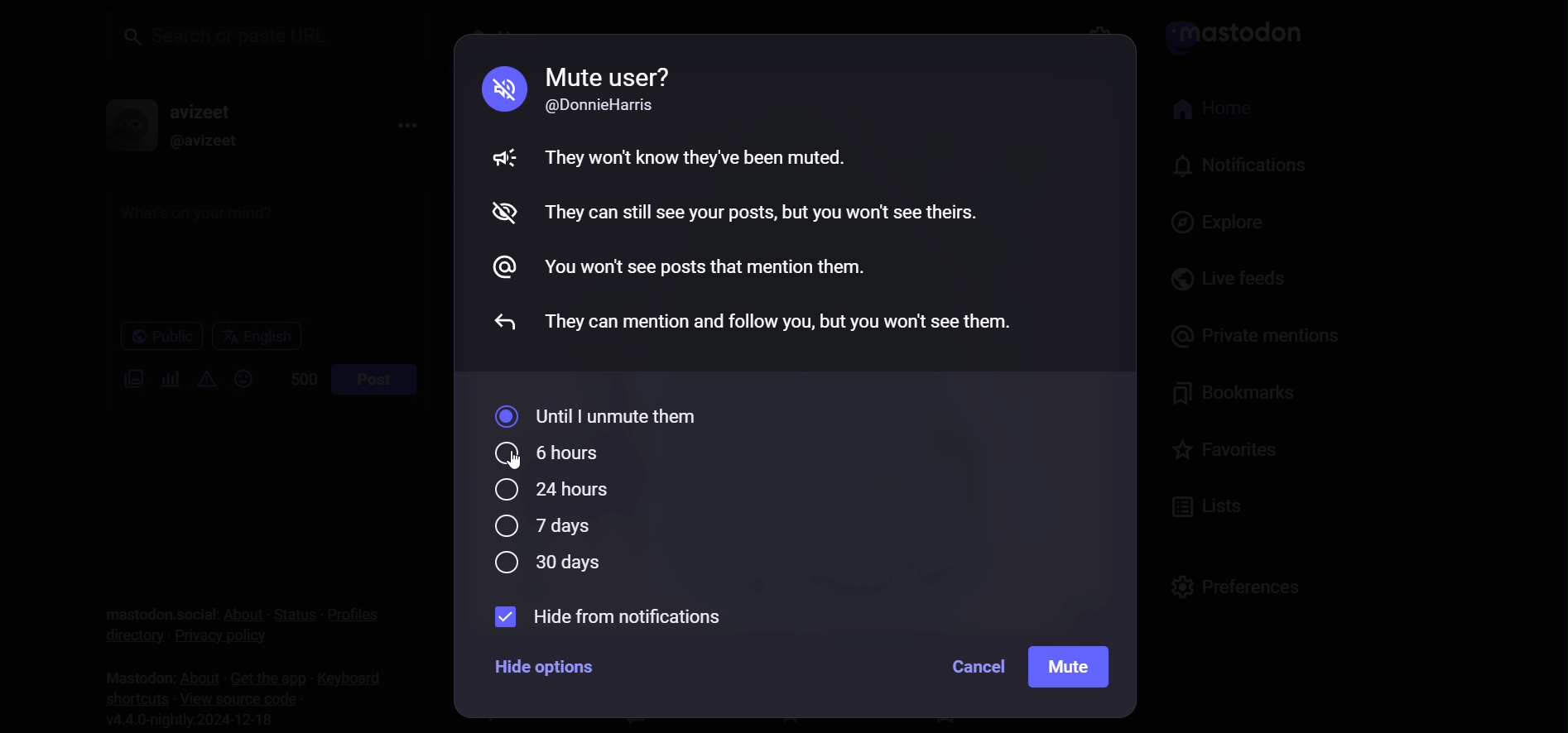 This screenshot has height=733, width=1568. What do you see at coordinates (541, 527) in the screenshot?
I see `7 days` at bounding box center [541, 527].